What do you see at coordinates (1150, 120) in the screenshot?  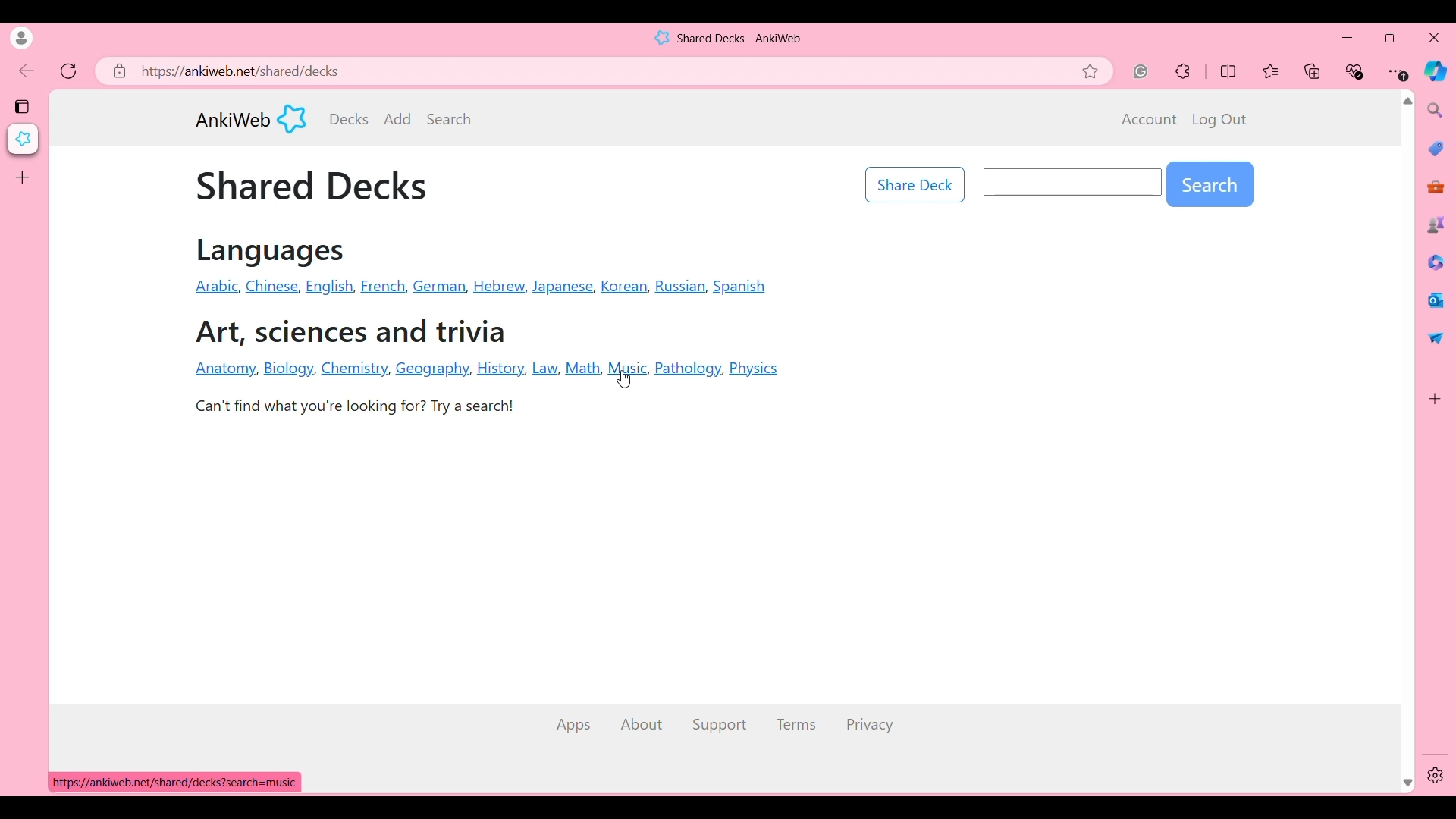 I see `Account` at bounding box center [1150, 120].